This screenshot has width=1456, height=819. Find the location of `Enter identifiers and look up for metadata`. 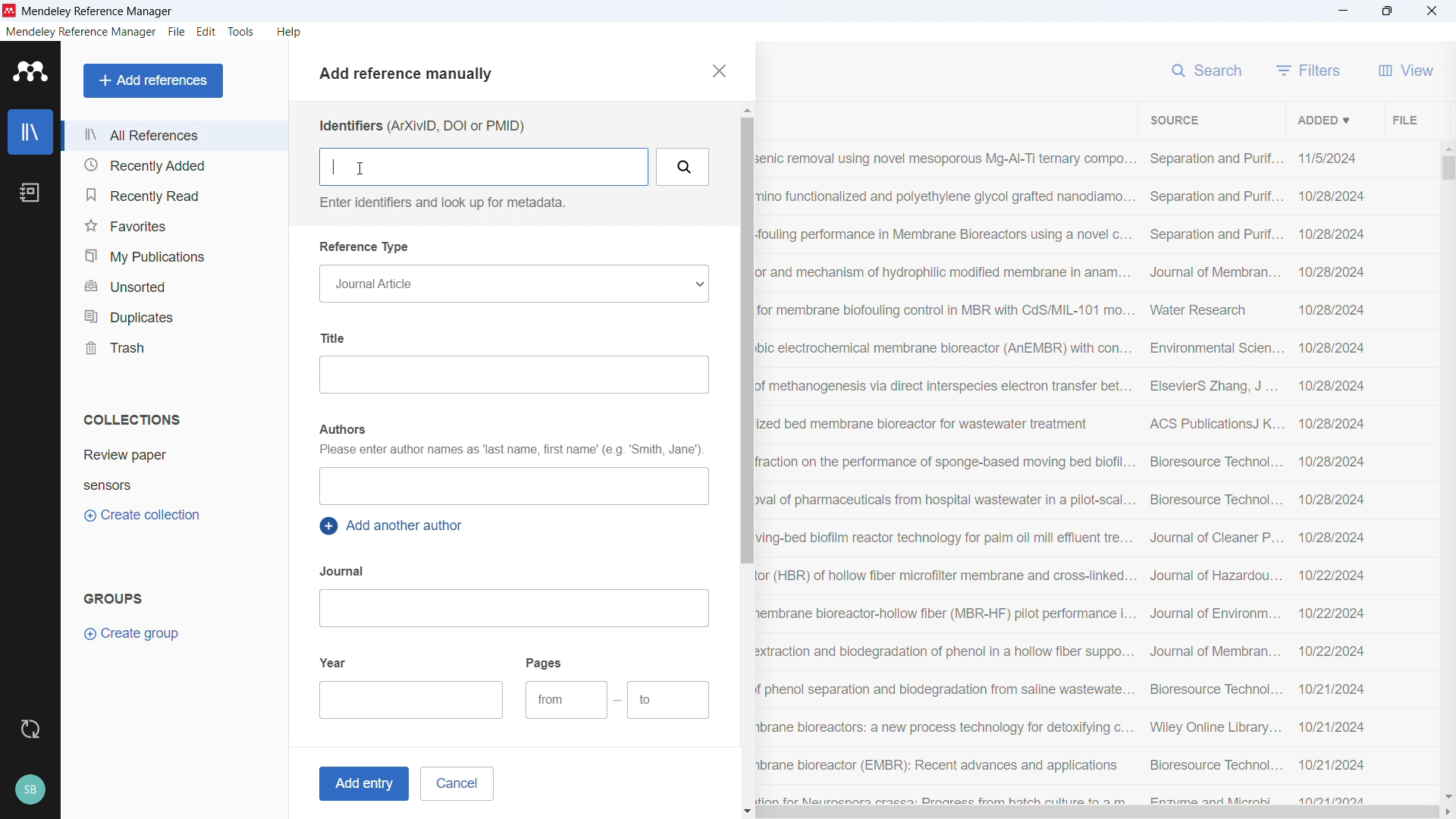

Enter identifiers and look up for metadata is located at coordinates (440, 202).